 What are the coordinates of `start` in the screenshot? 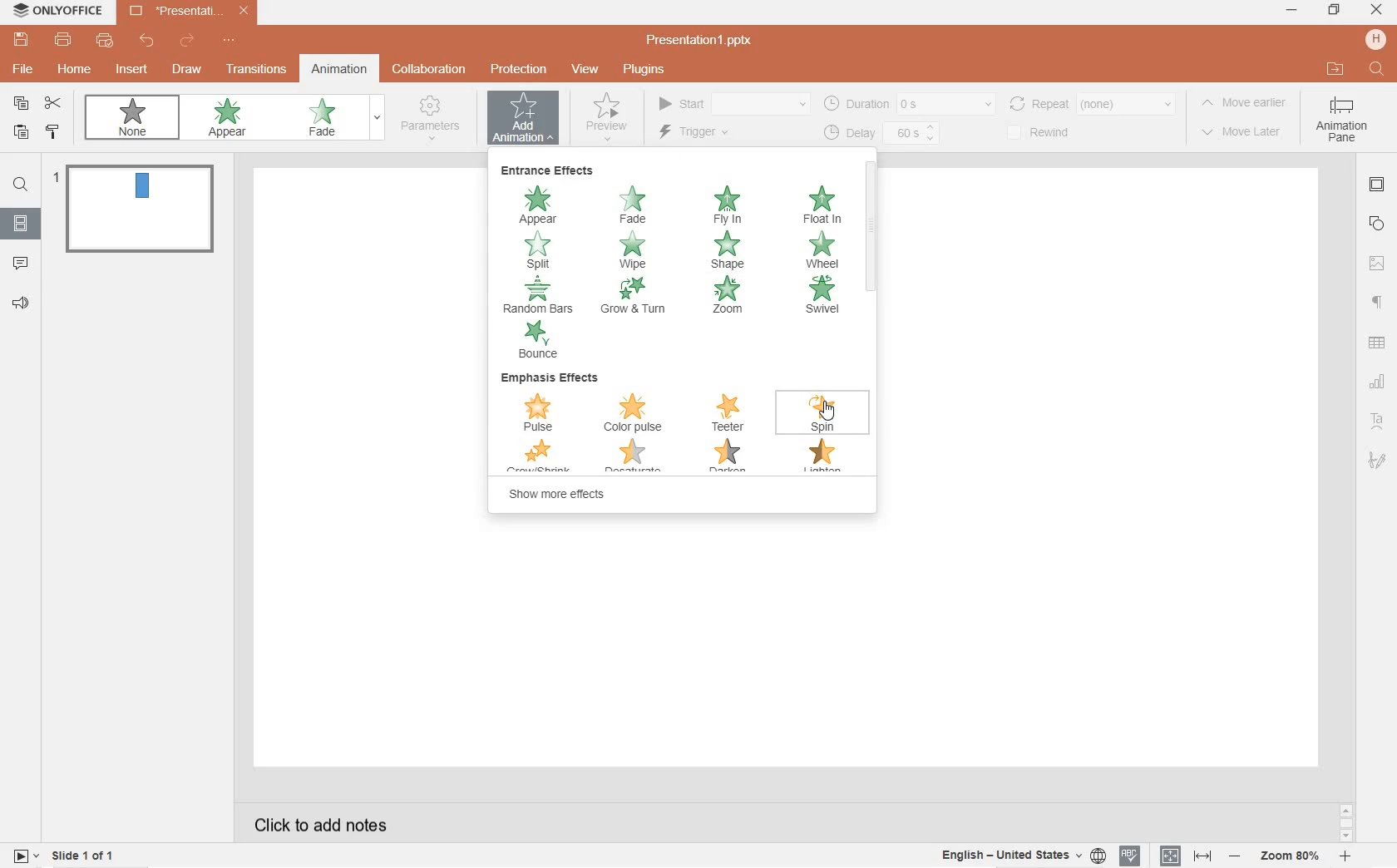 It's located at (733, 101).